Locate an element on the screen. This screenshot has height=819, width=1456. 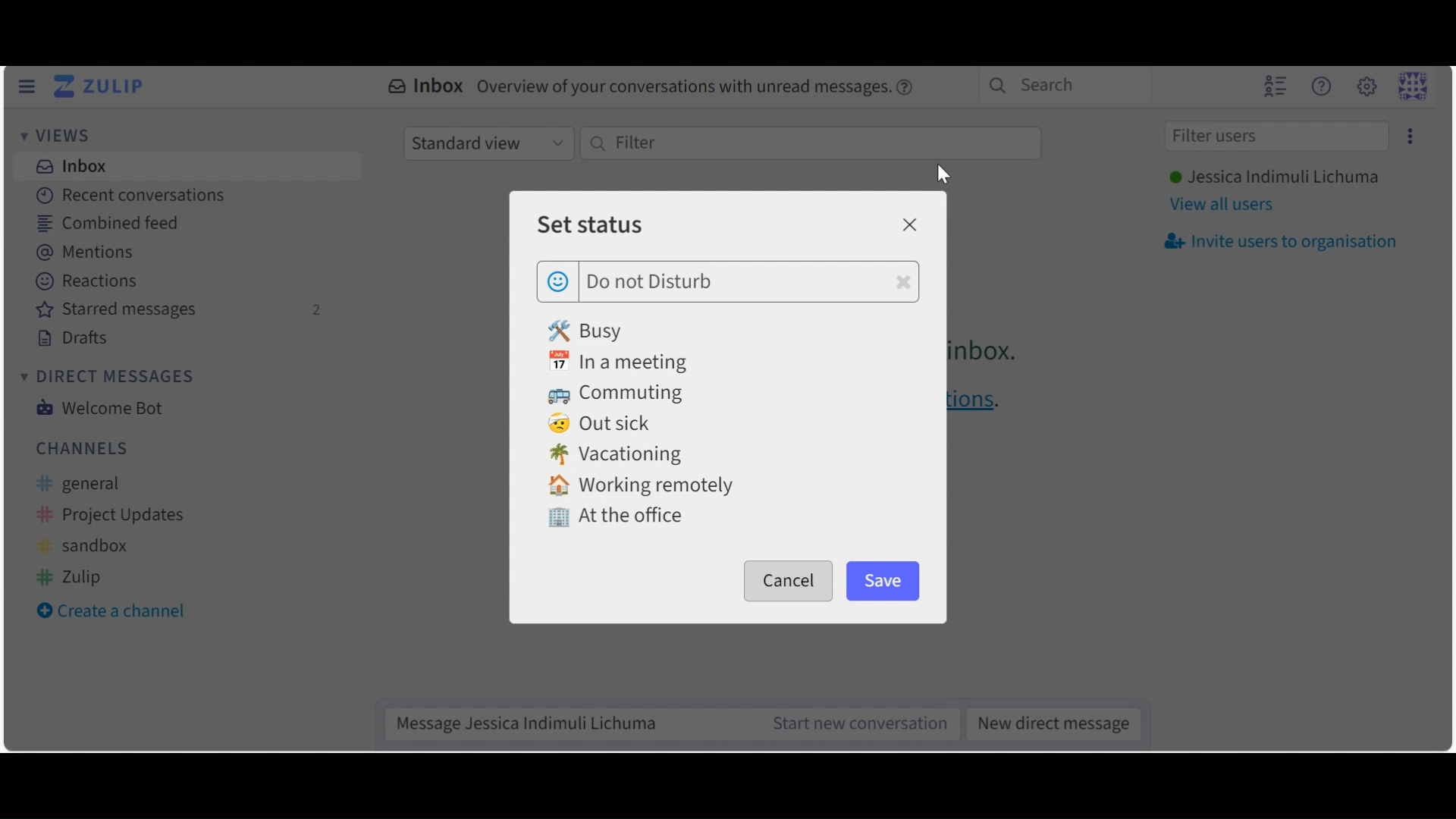
Invite users to your organisation is located at coordinates (1279, 242).